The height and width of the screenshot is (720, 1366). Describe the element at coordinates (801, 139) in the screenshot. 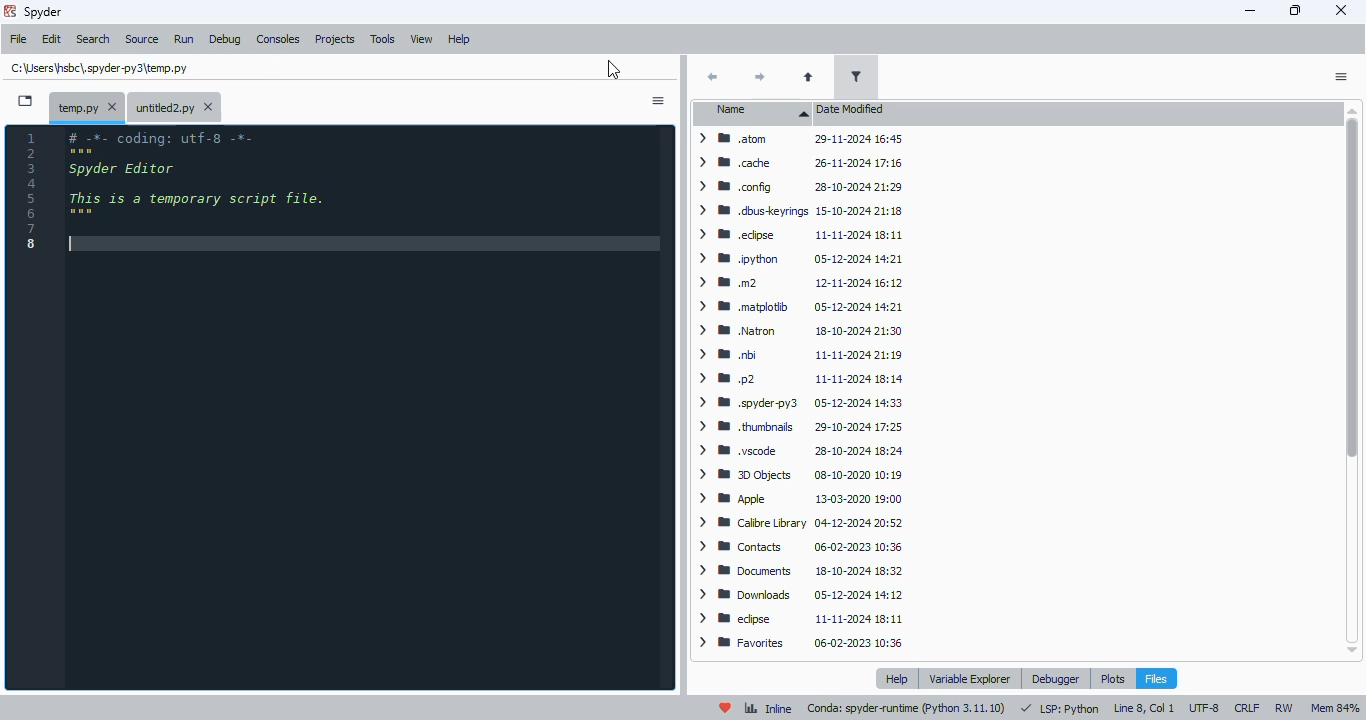

I see `> BB atom 29-11-2024 16:45` at that location.